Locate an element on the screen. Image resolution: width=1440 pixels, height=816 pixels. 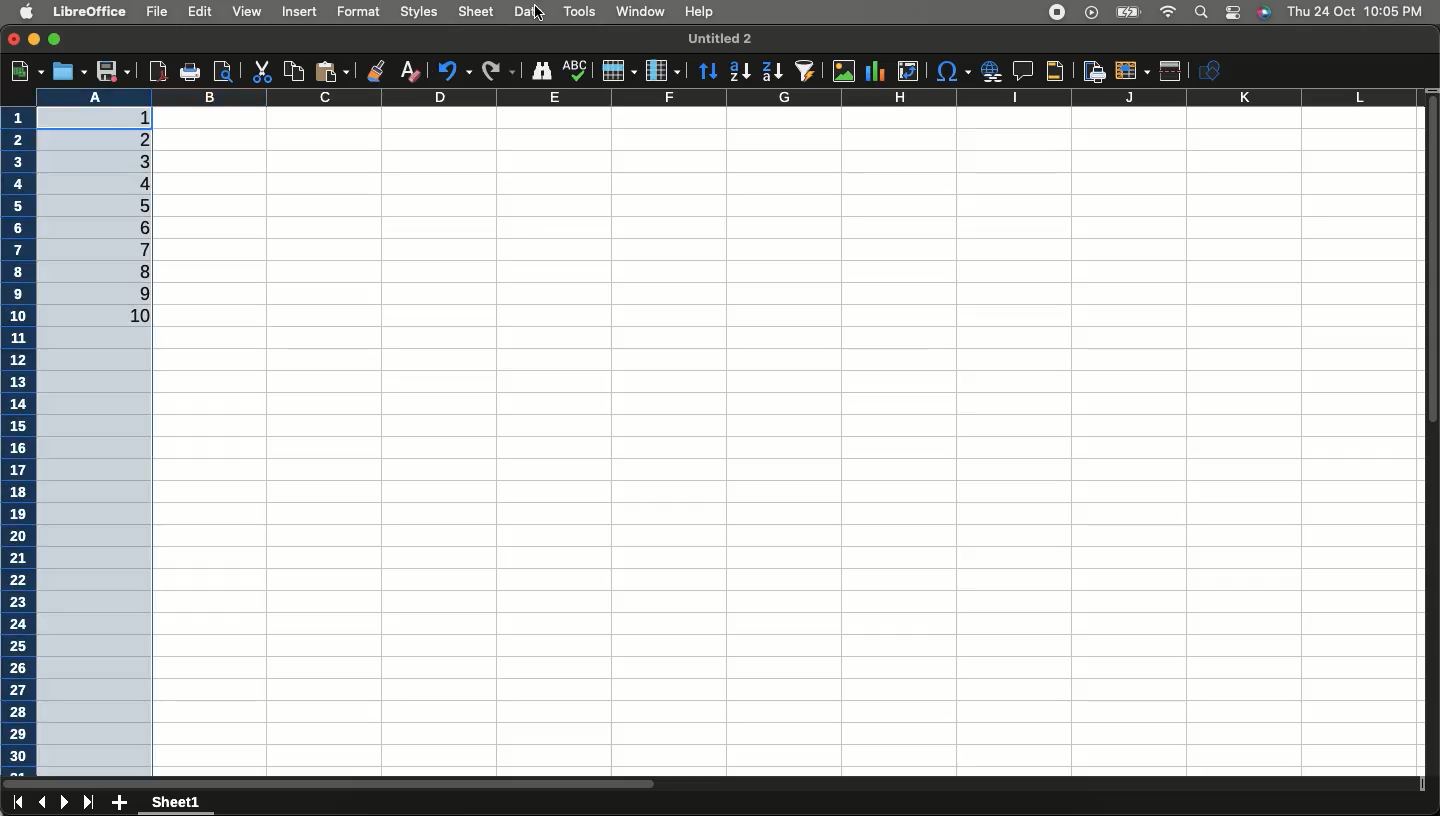
Autofilter is located at coordinates (804, 71).